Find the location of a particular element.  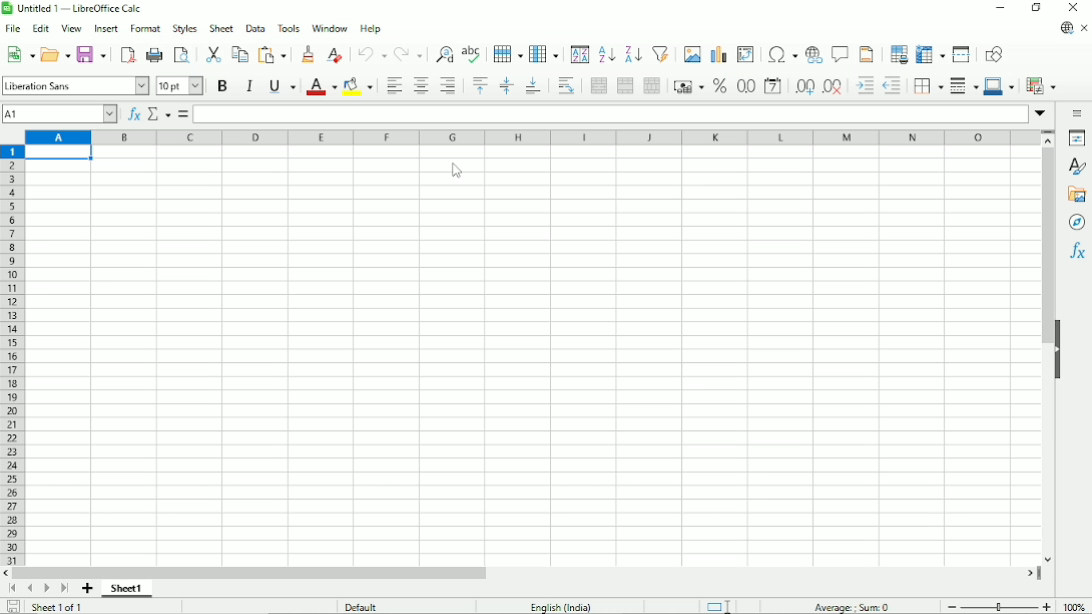

Insert is located at coordinates (104, 28).